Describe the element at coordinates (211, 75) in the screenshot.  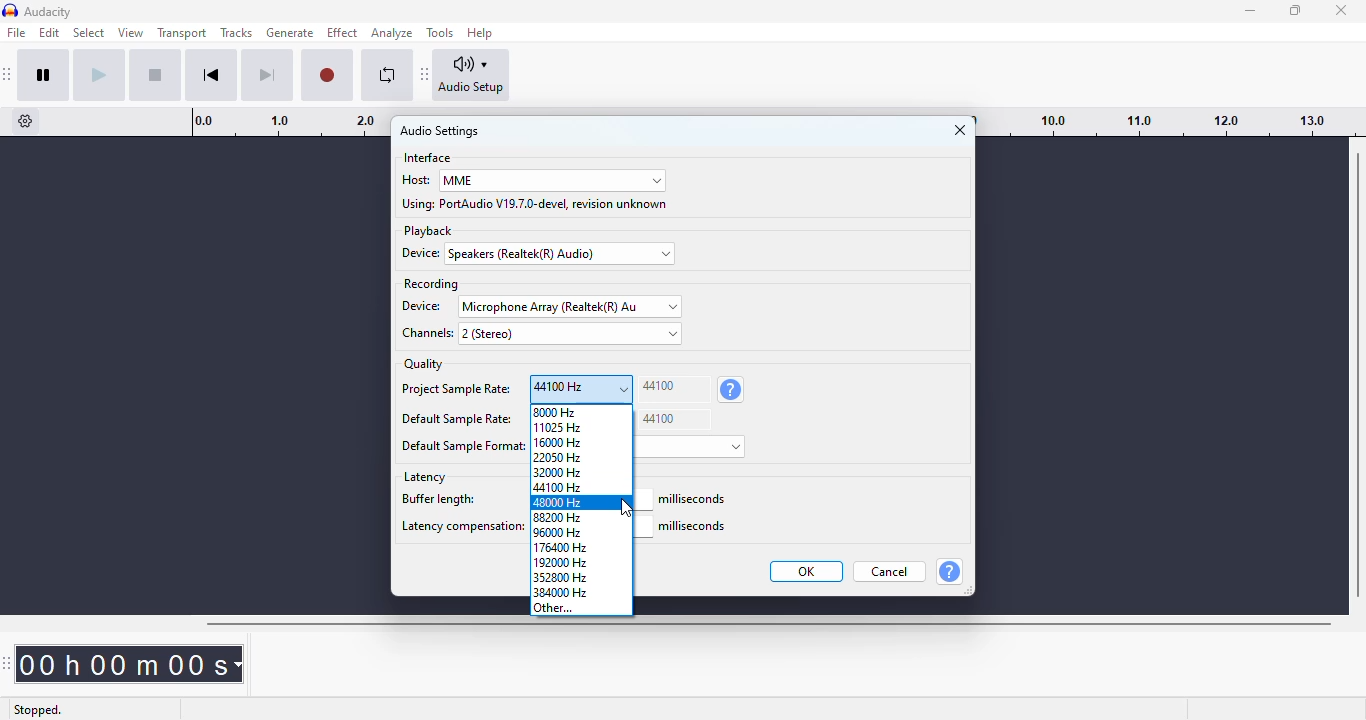
I see `skip to start` at that location.